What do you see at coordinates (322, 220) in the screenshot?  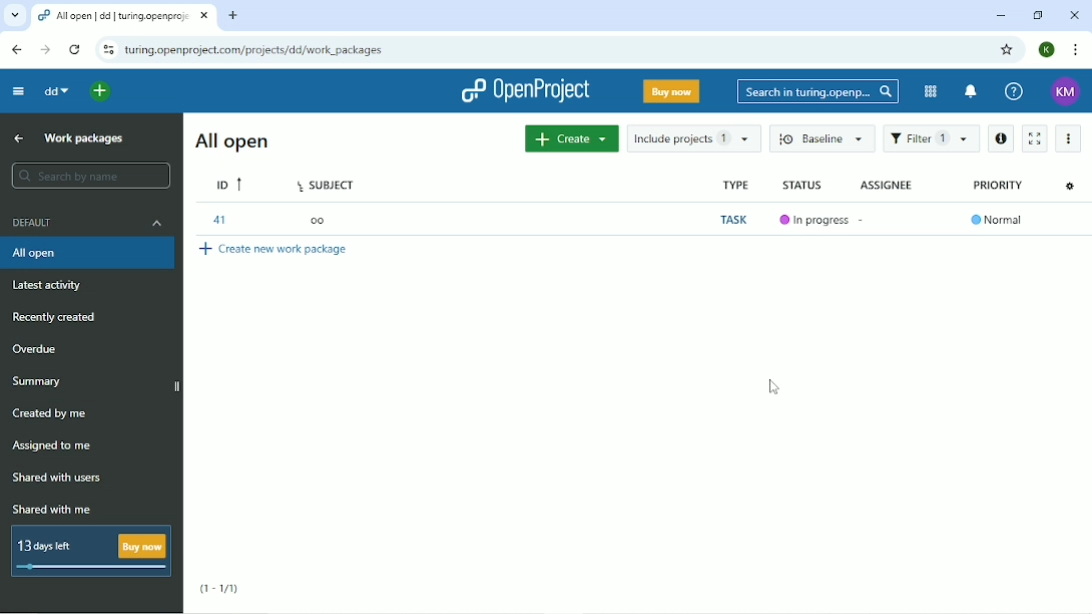 I see `oo` at bounding box center [322, 220].